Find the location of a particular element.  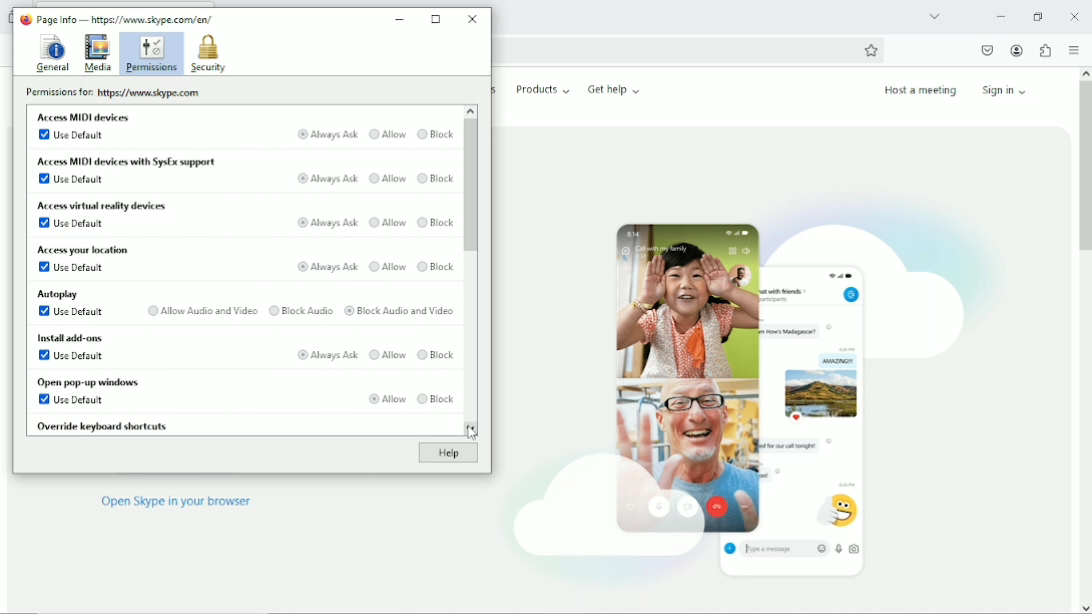

Install add-ons is located at coordinates (67, 337).